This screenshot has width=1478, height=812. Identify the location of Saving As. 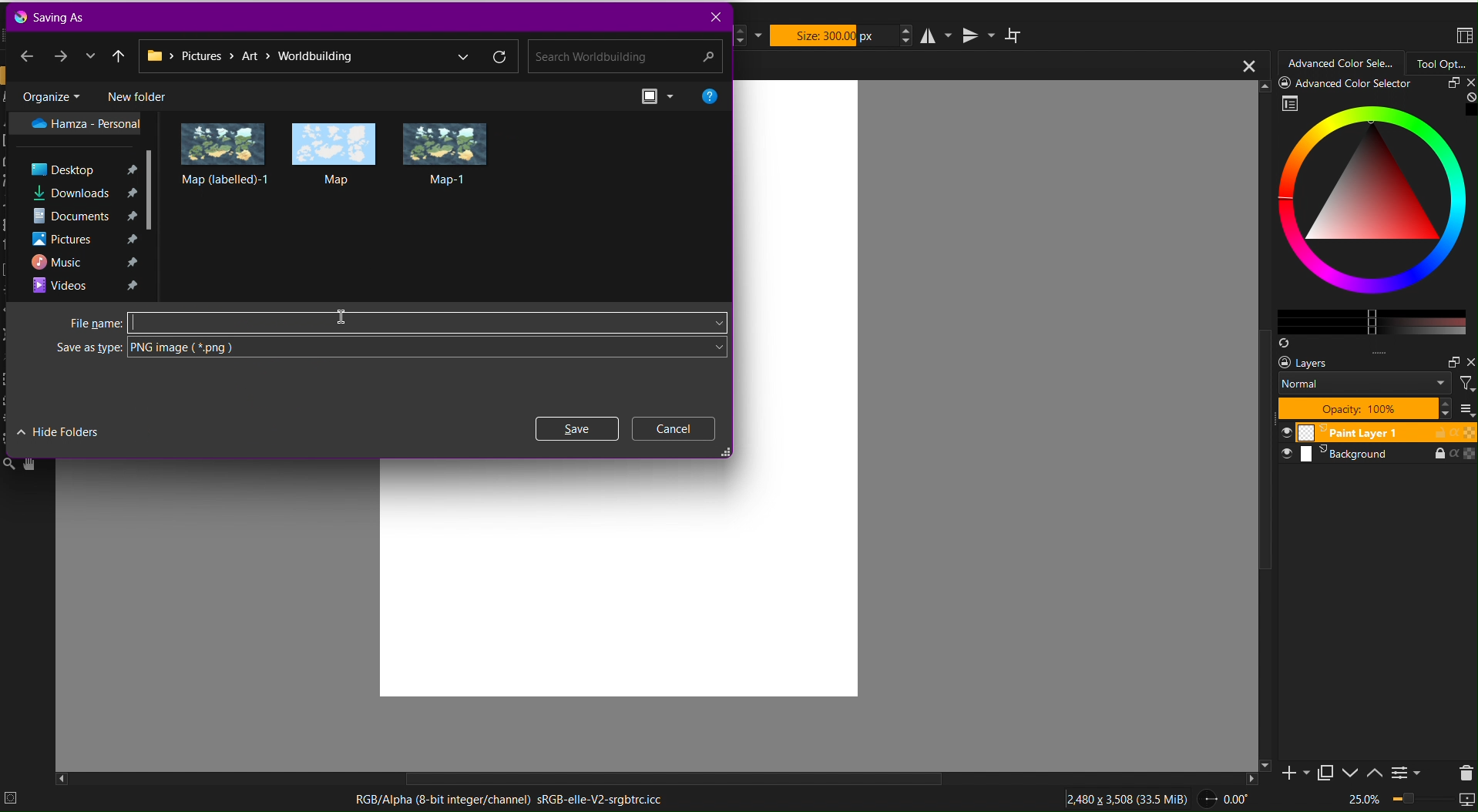
(53, 16).